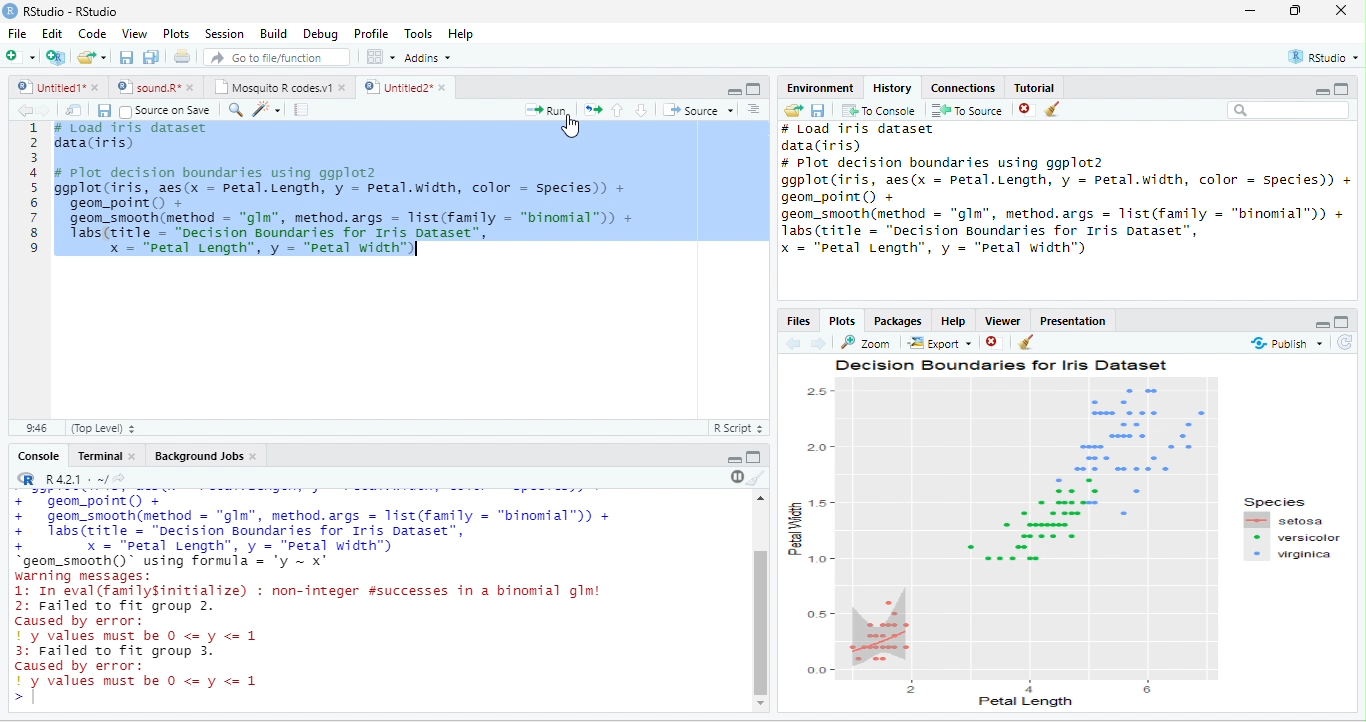 The height and width of the screenshot is (722, 1366). I want to click on close, so click(97, 87).